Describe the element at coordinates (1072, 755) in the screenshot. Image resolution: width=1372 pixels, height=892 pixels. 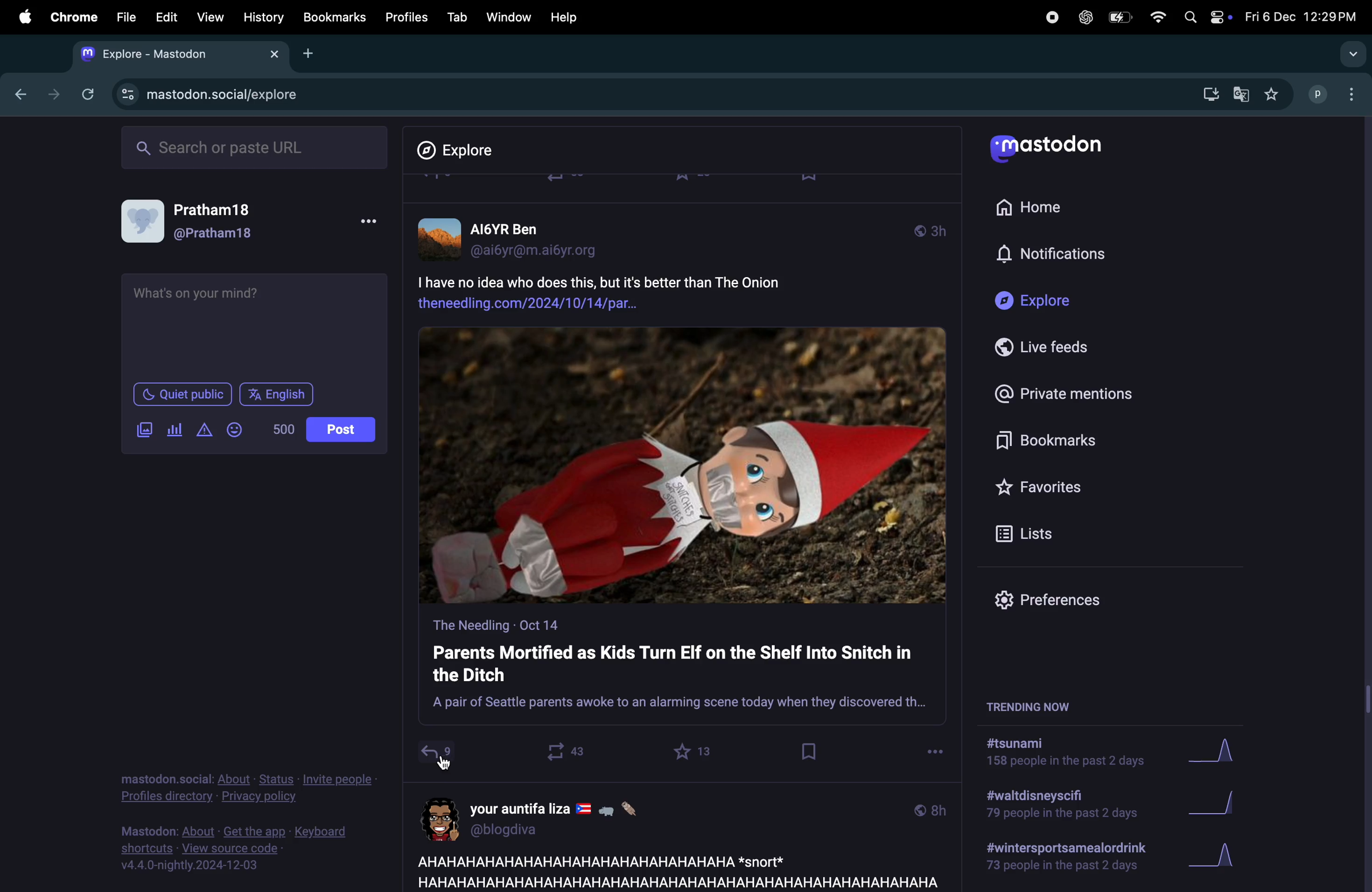
I see `#tsunami` at that location.